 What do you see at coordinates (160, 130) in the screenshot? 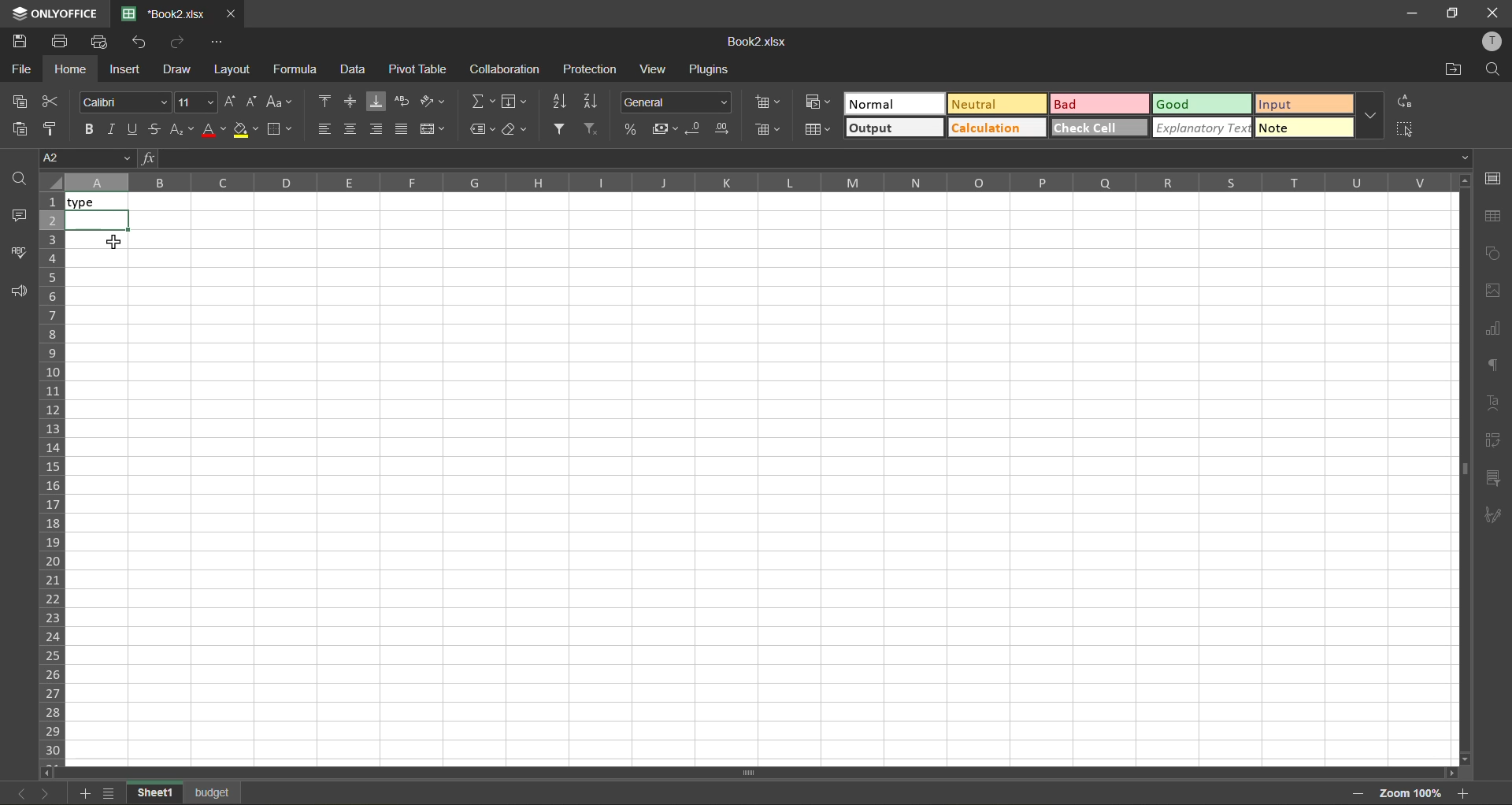
I see `strikethrough` at bounding box center [160, 130].